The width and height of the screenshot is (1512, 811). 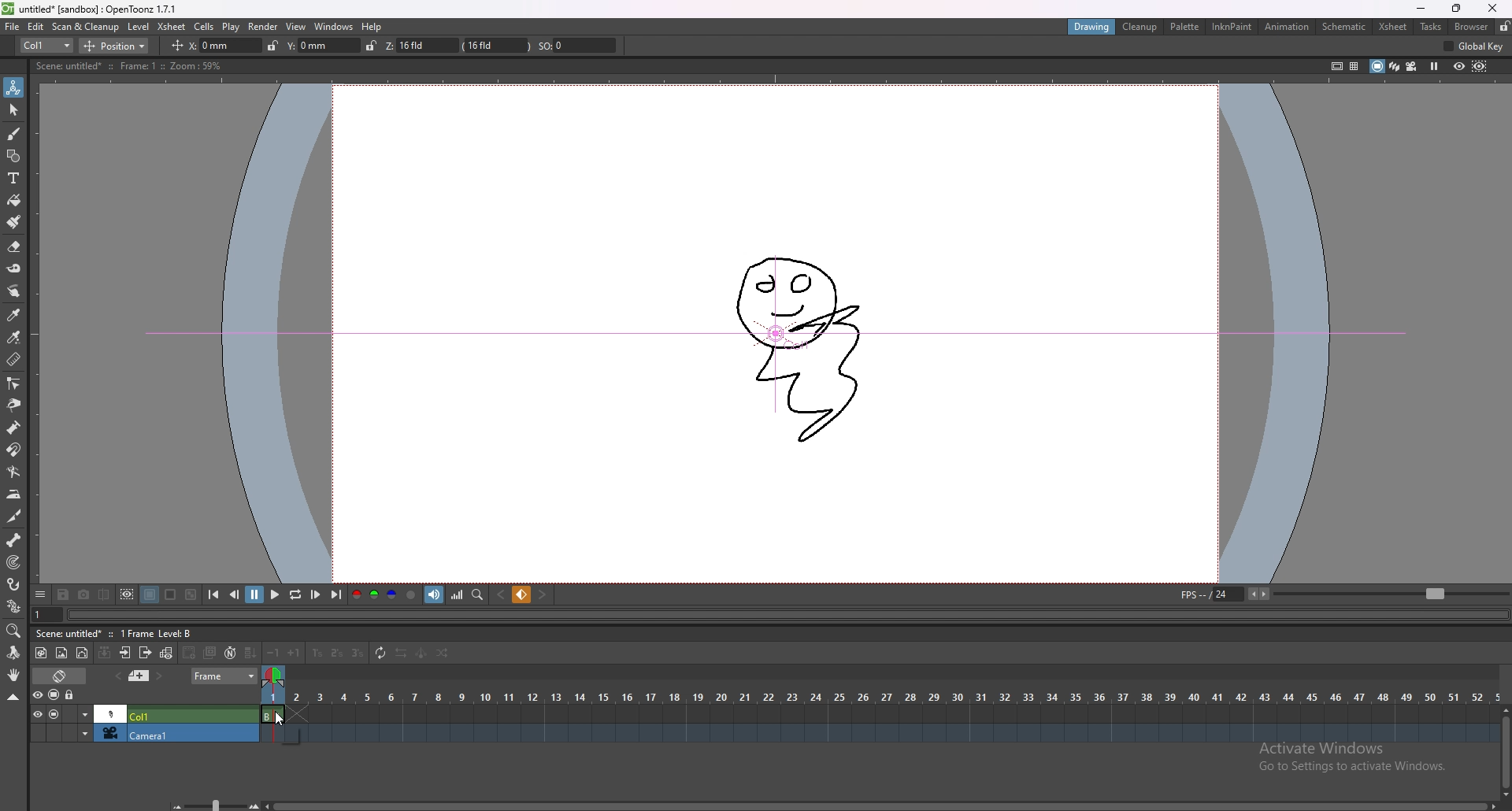 What do you see at coordinates (13, 471) in the screenshot?
I see `bender` at bounding box center [13, 471].